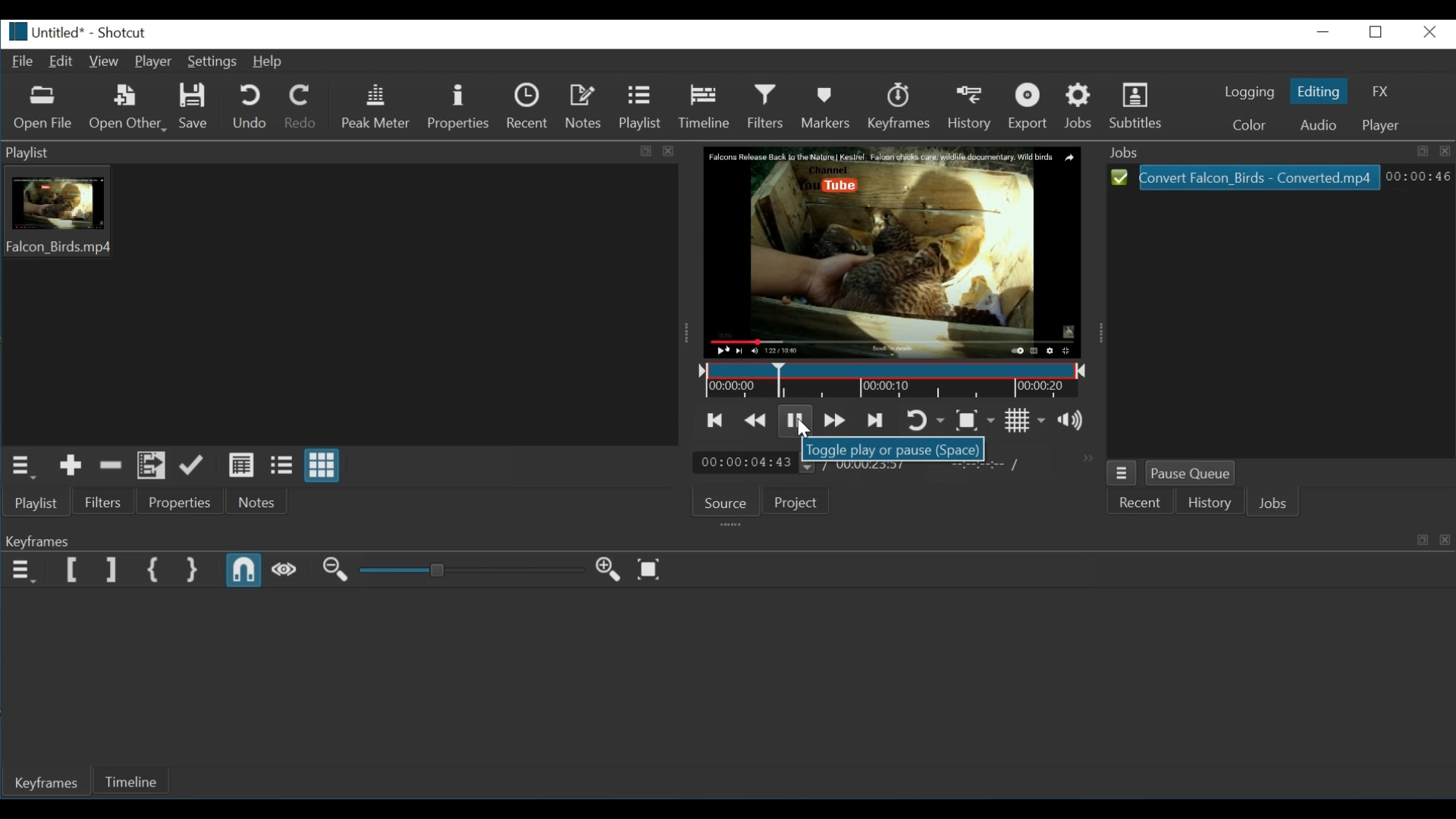  I want to click on View as details, so click(240, 465).